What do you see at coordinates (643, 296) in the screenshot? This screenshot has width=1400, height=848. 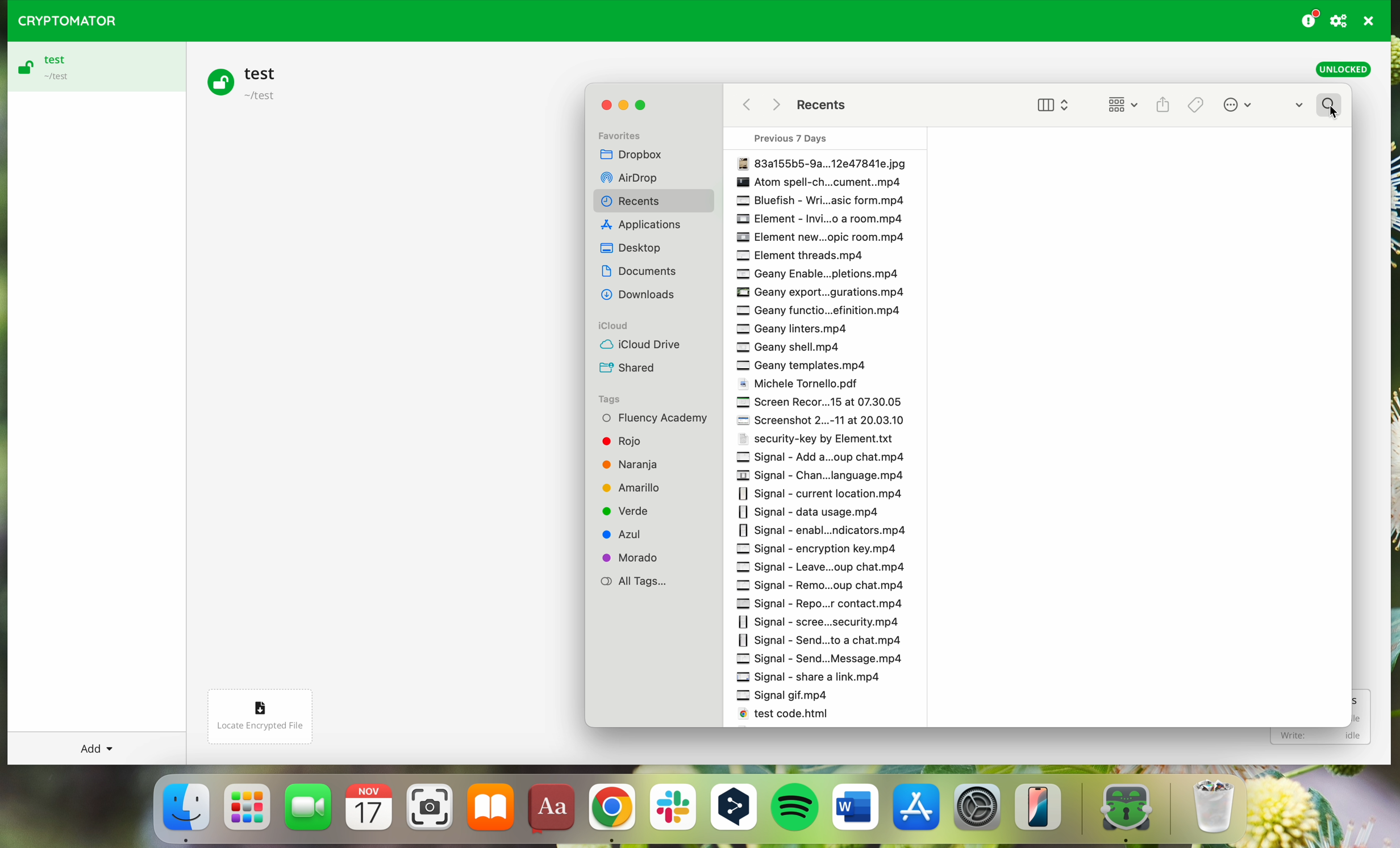 I see `` at bounding box center [643, 296].